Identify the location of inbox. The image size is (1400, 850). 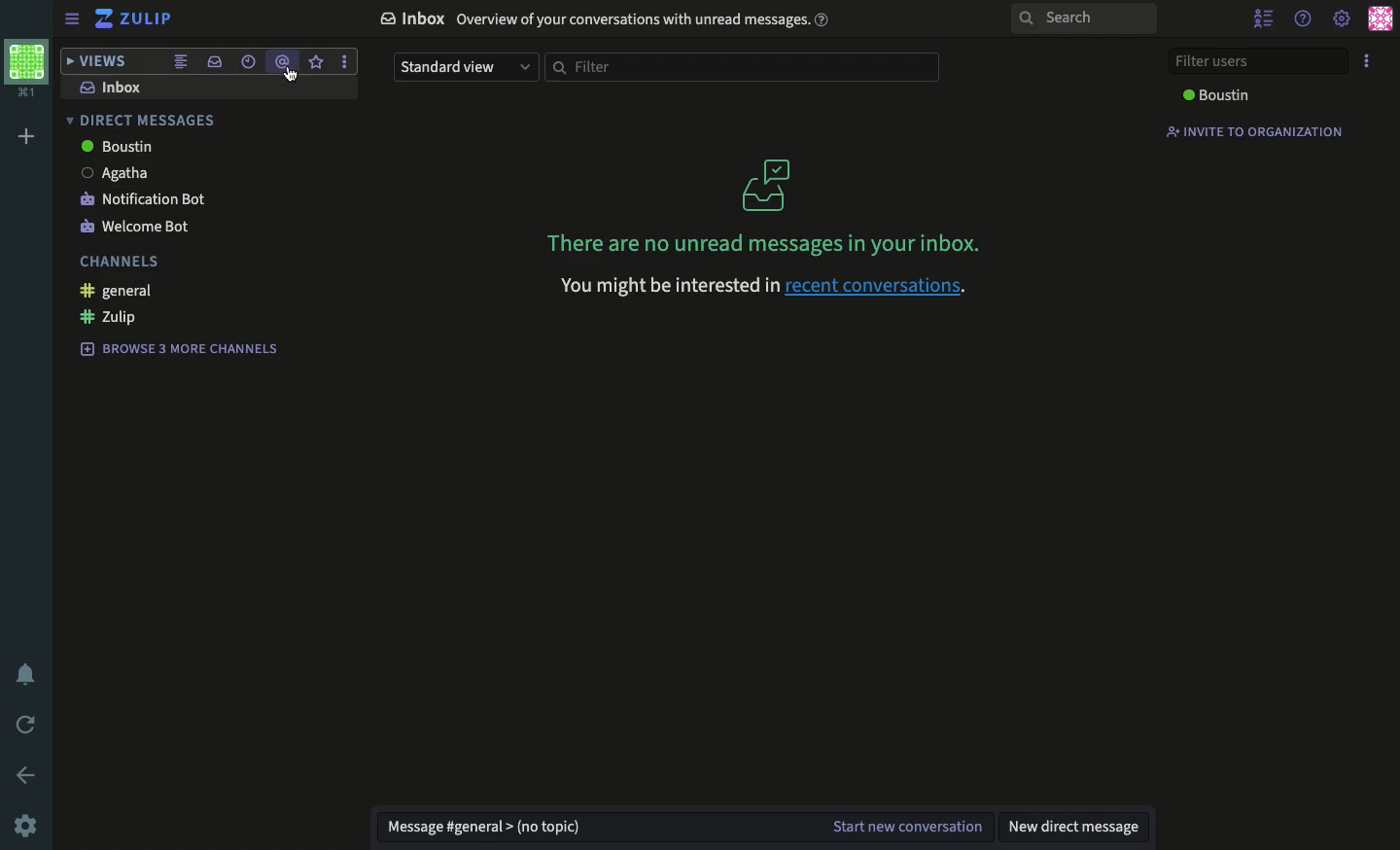
(123, 88).